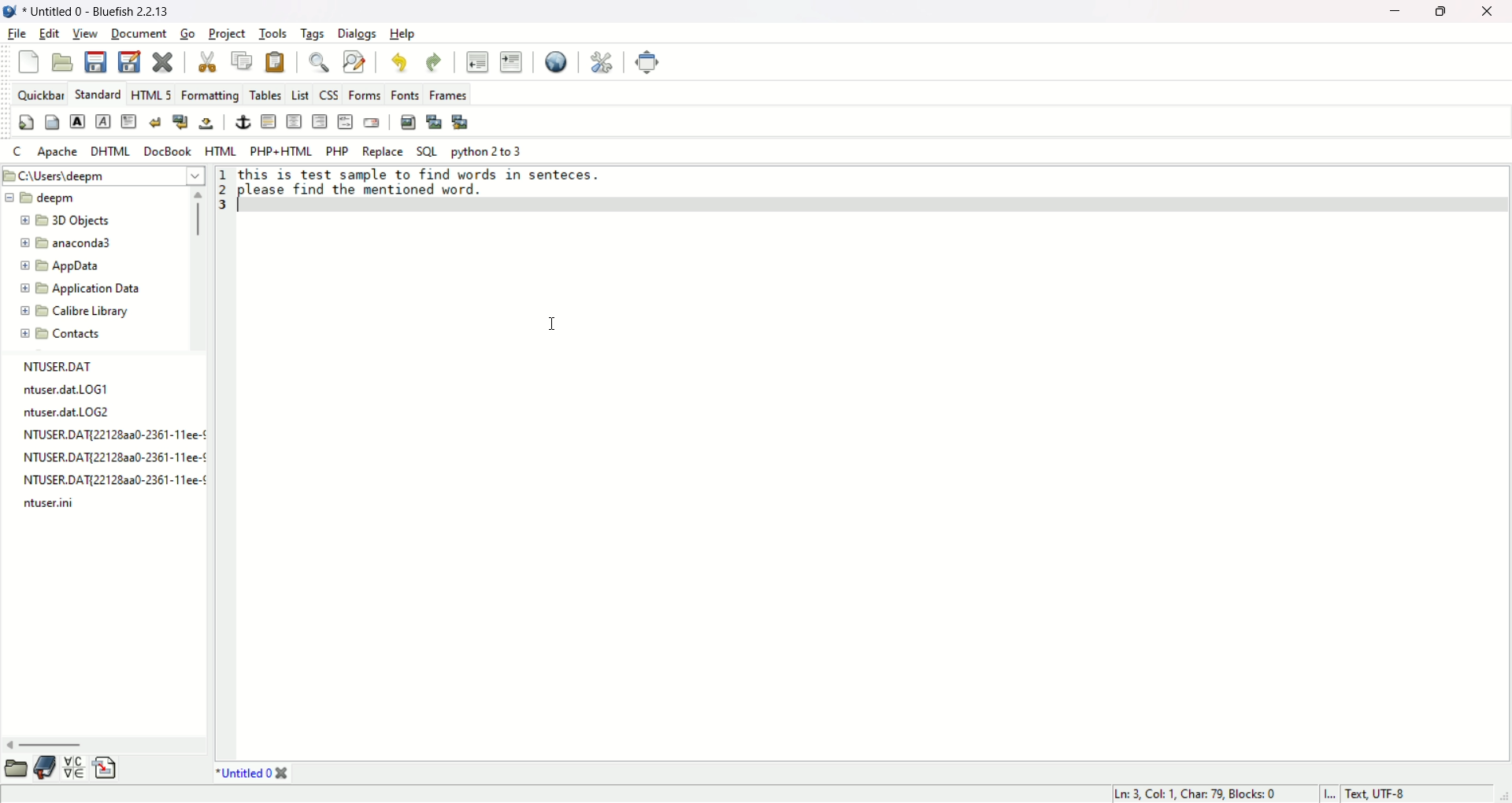 The height and width of the screenshot is (803, 1512). Describe the element at coordinates (106, 768) in the screenshot. I see `insert file` at that location.